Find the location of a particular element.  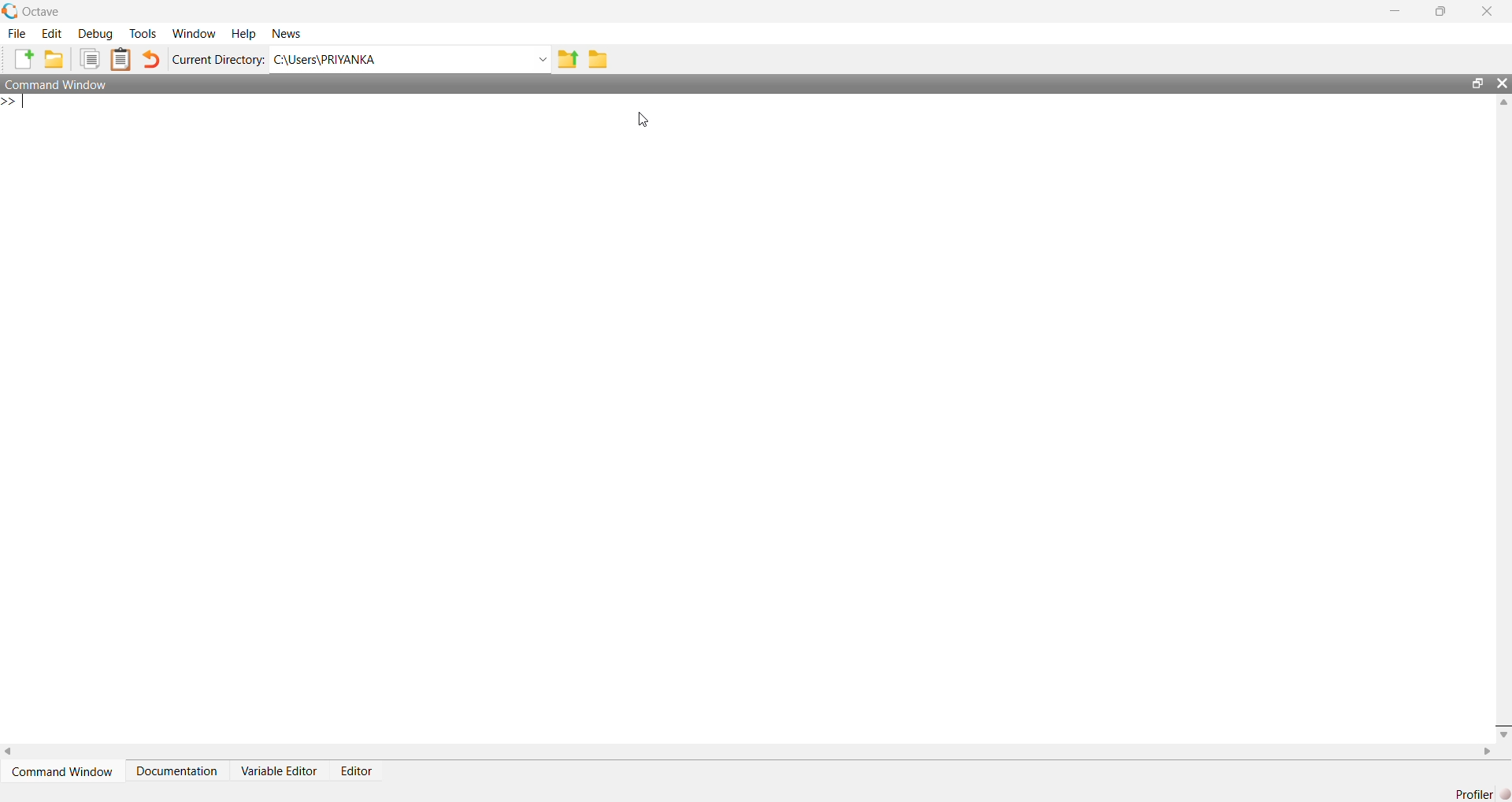

Profiler is located at coordinates (1475, 794).